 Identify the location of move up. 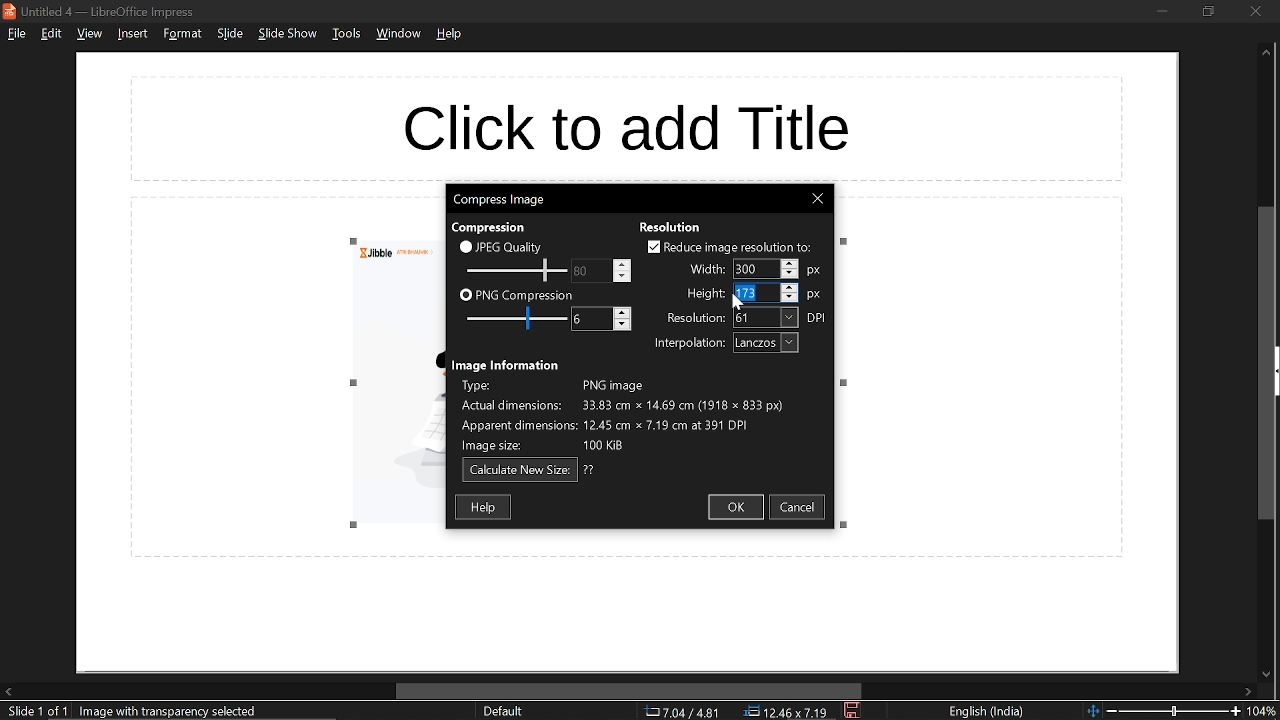
(1266, 56).